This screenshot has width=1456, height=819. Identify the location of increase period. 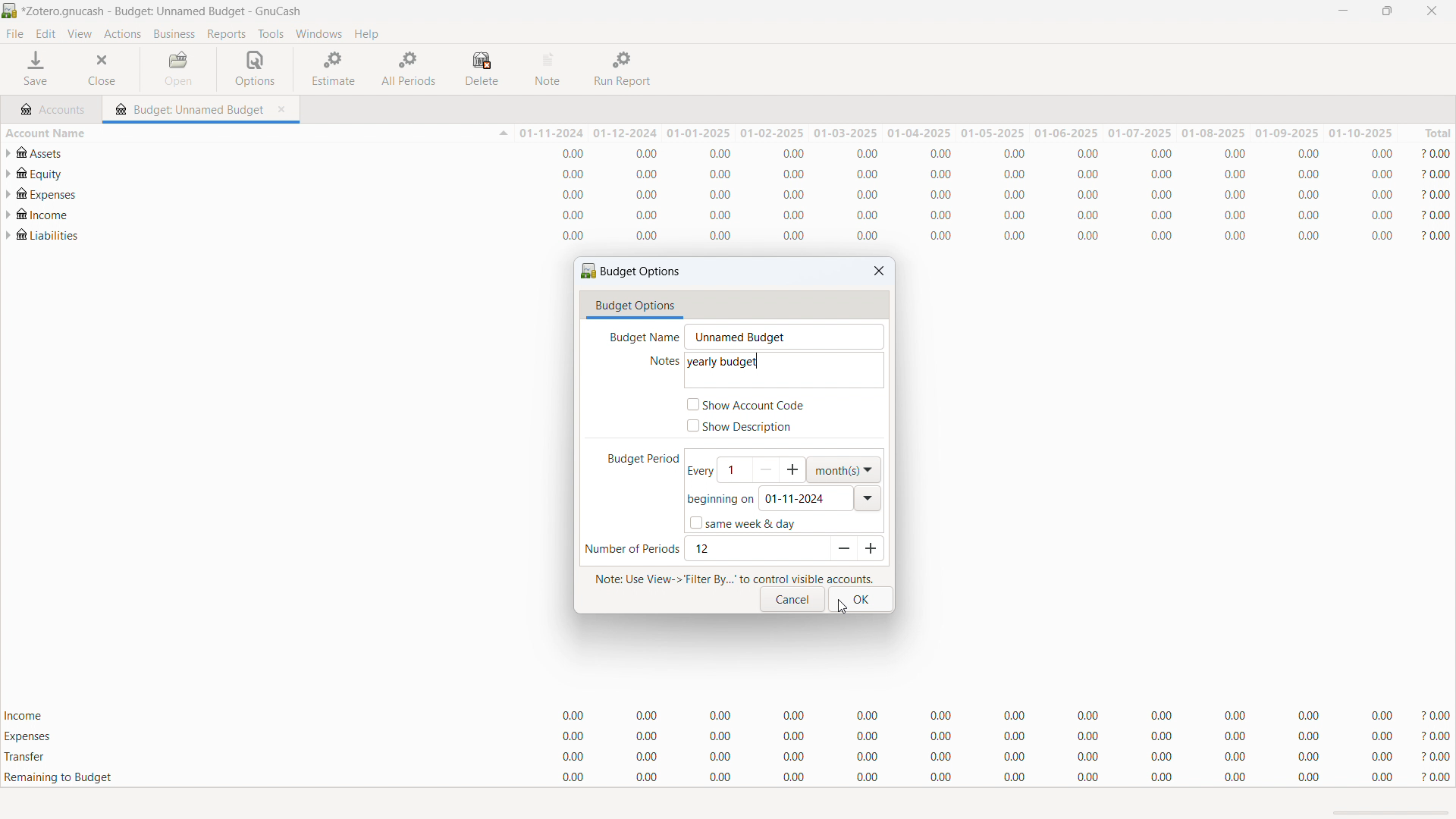
(869, 548).